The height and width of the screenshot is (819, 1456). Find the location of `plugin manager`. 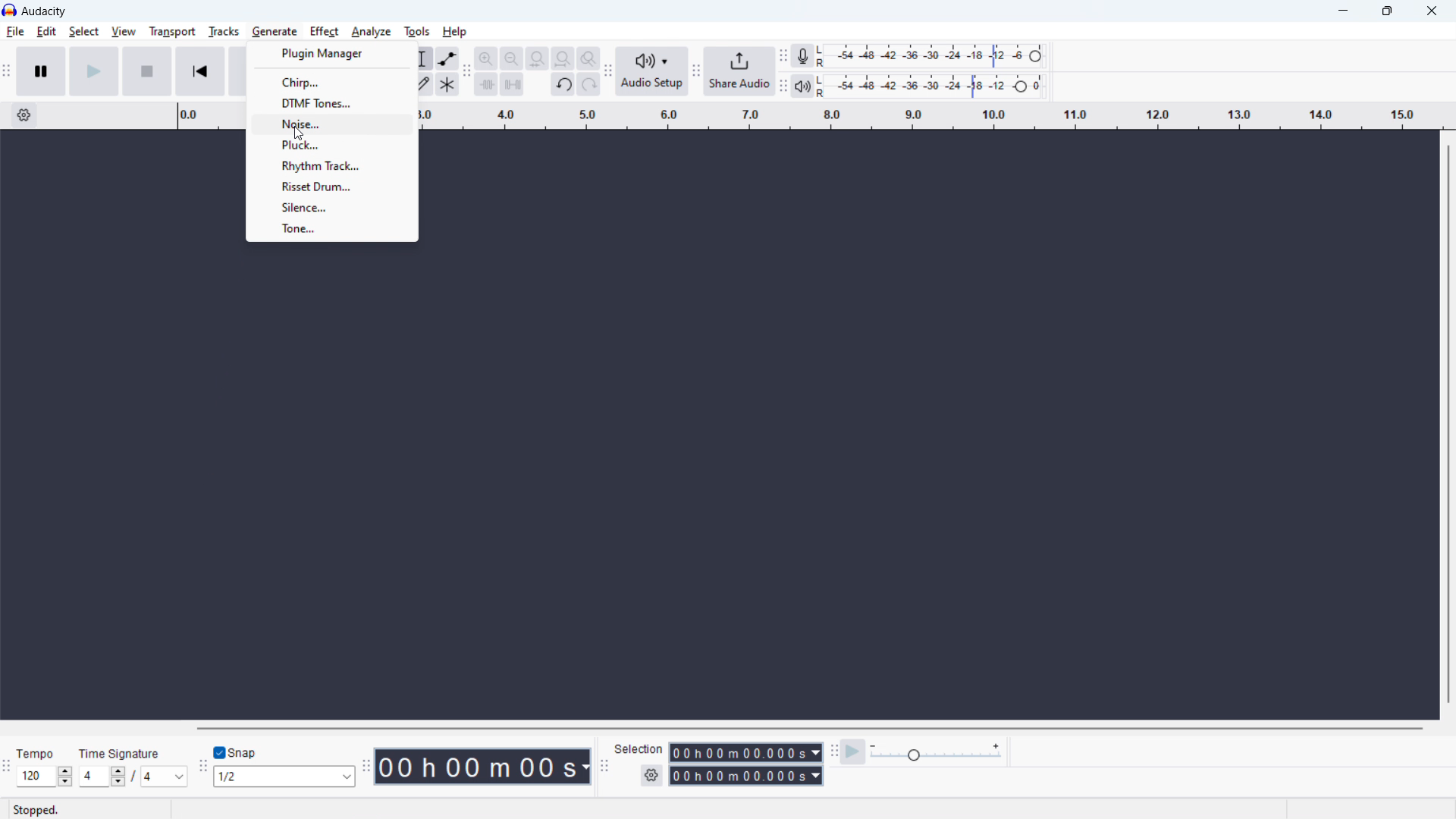

plugin manager is located at coordinates (332, 52).